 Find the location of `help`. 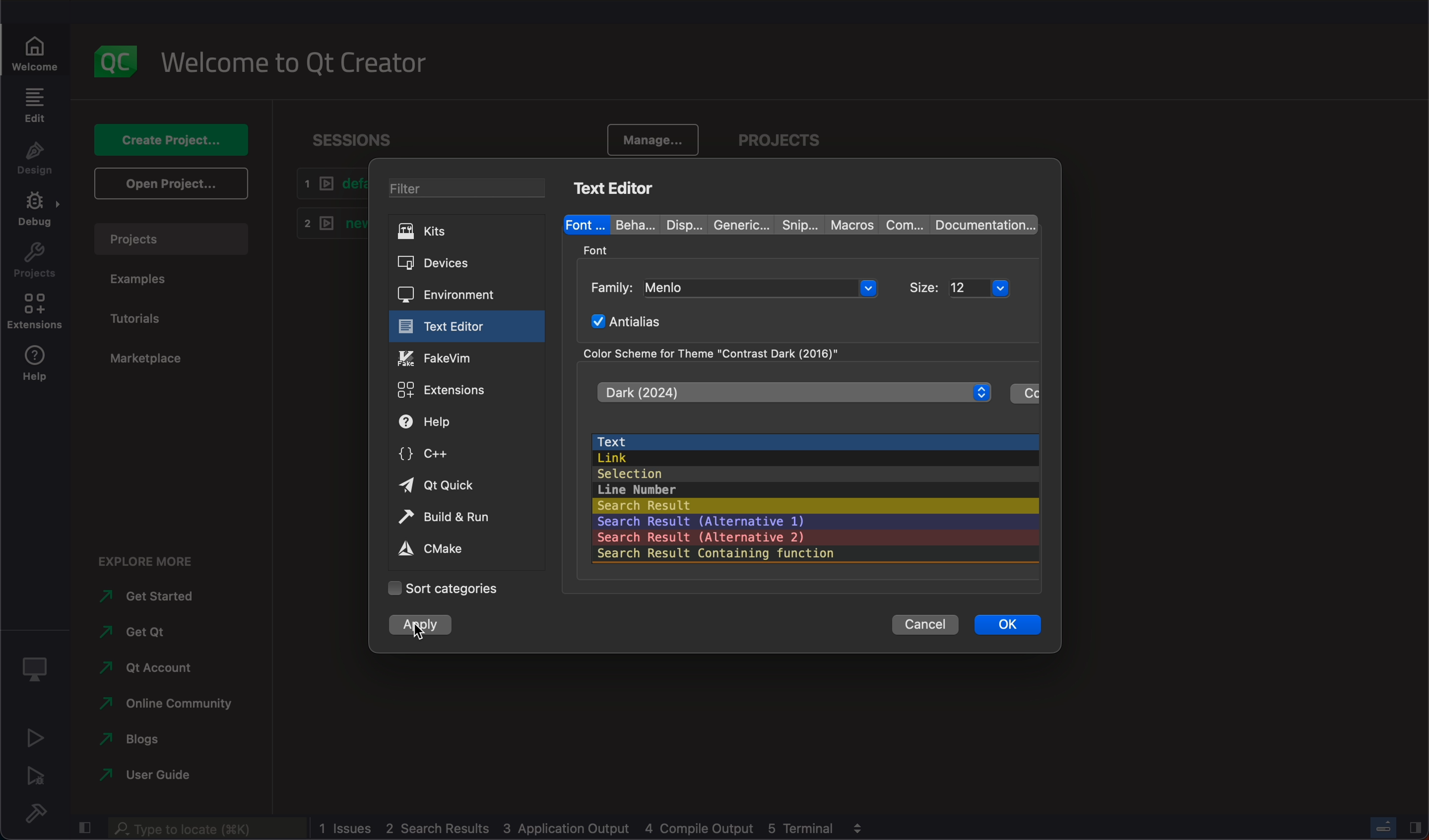

help is located at coordinates (464, 424).